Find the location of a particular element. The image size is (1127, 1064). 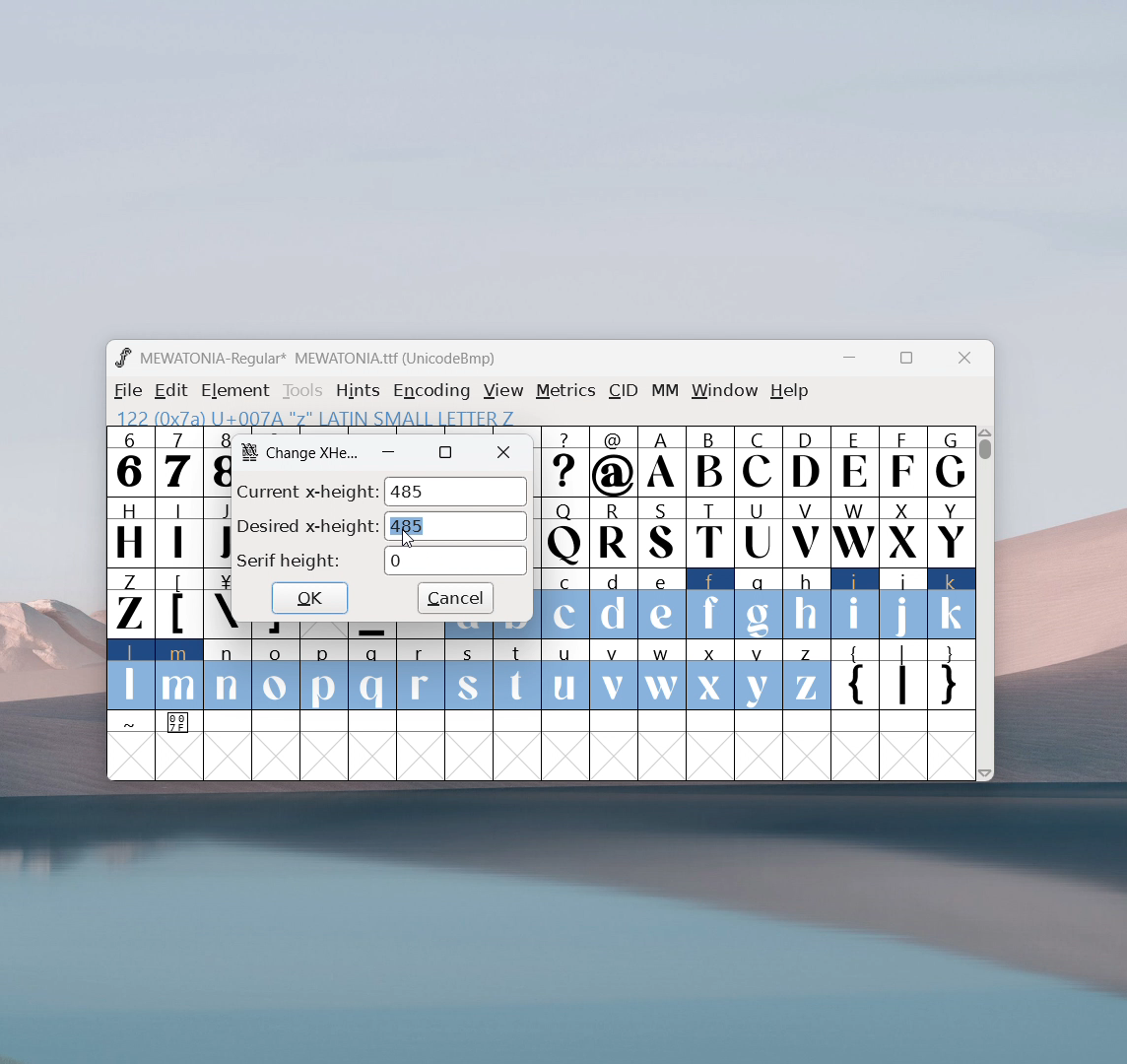

x is located at coordinates (711, 674).